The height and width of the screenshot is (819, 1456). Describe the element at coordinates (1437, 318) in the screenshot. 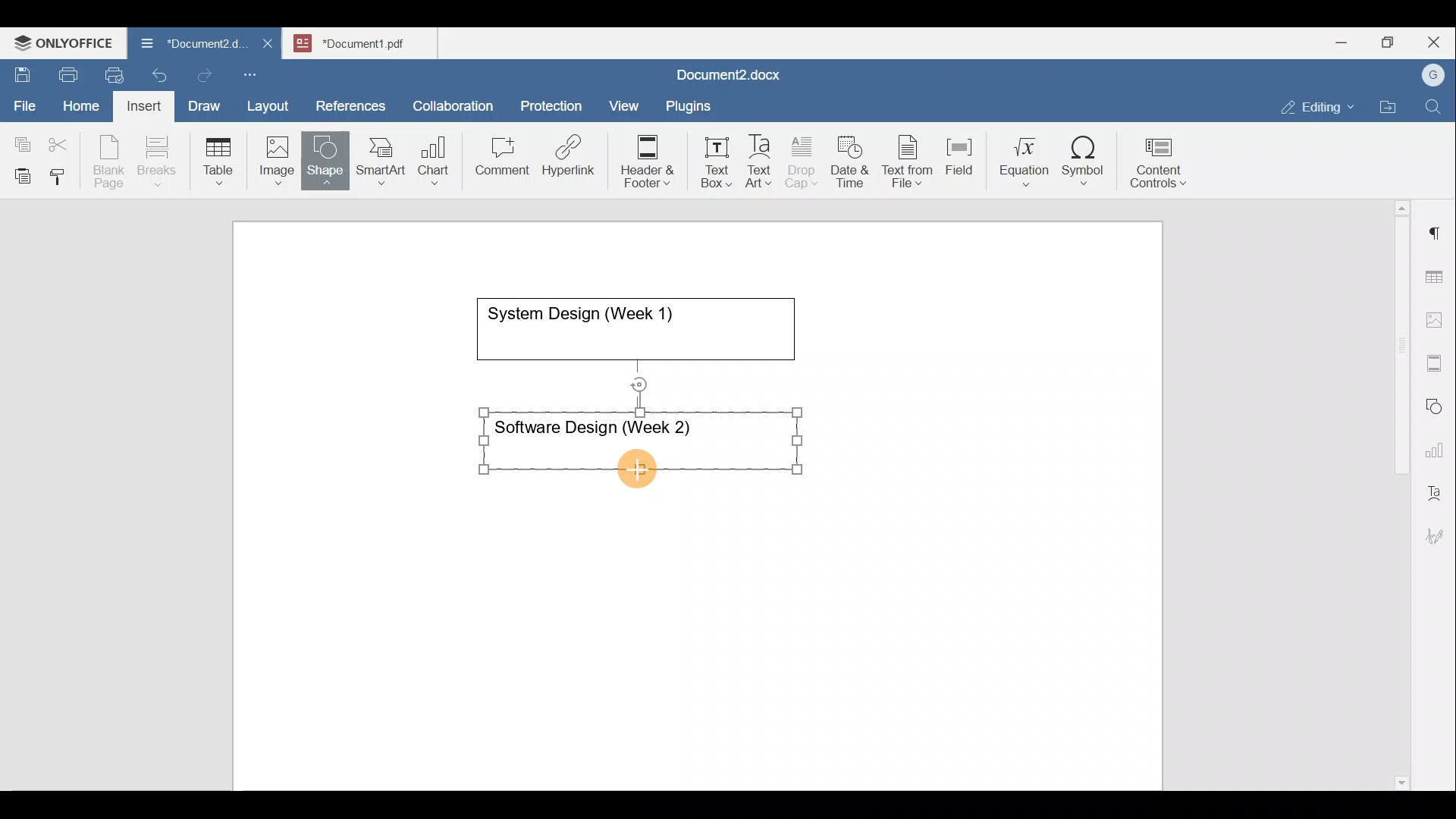

I see `Image settings` at that location.